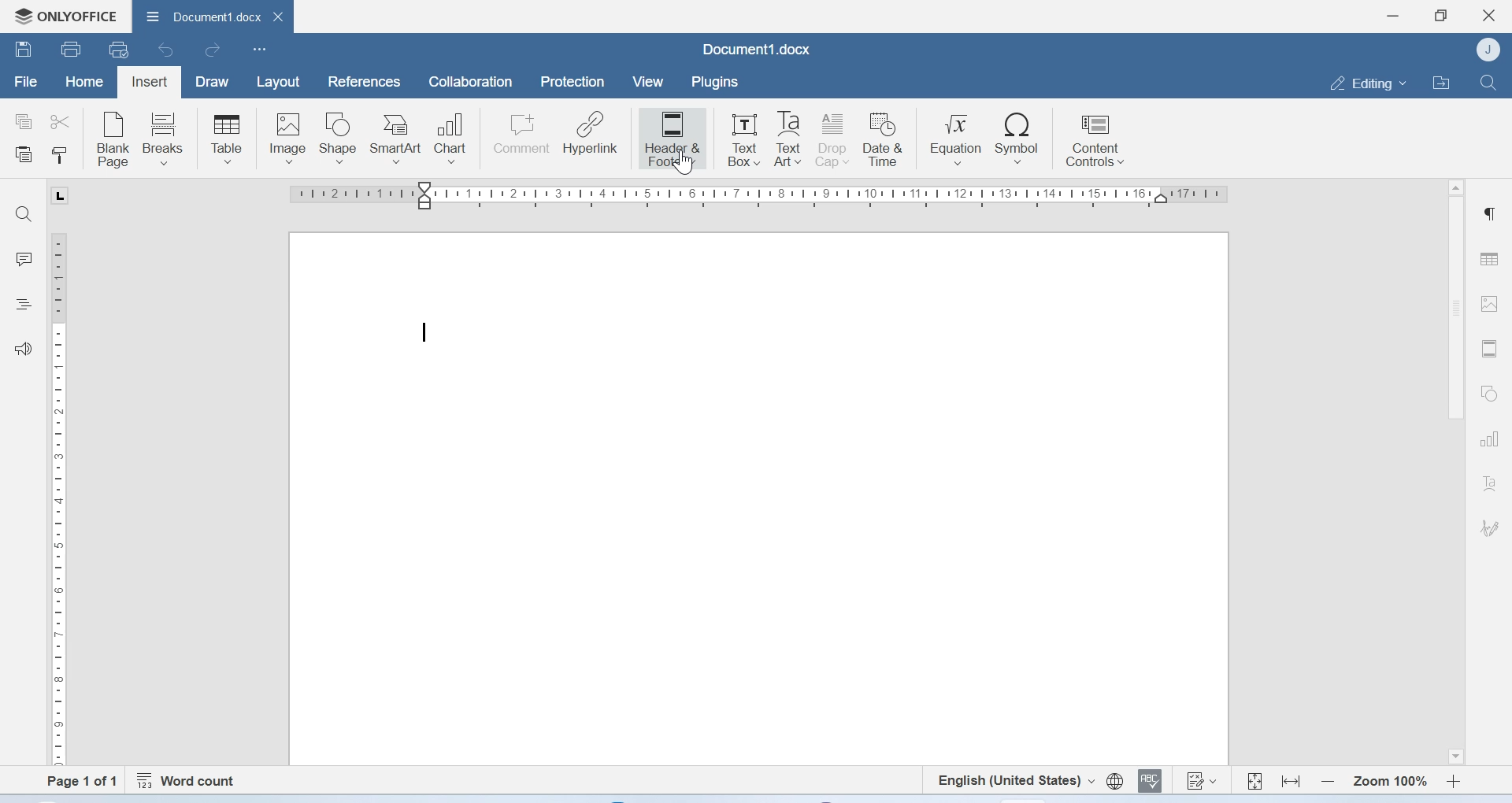  I want to click on redo, so click(213, 52).